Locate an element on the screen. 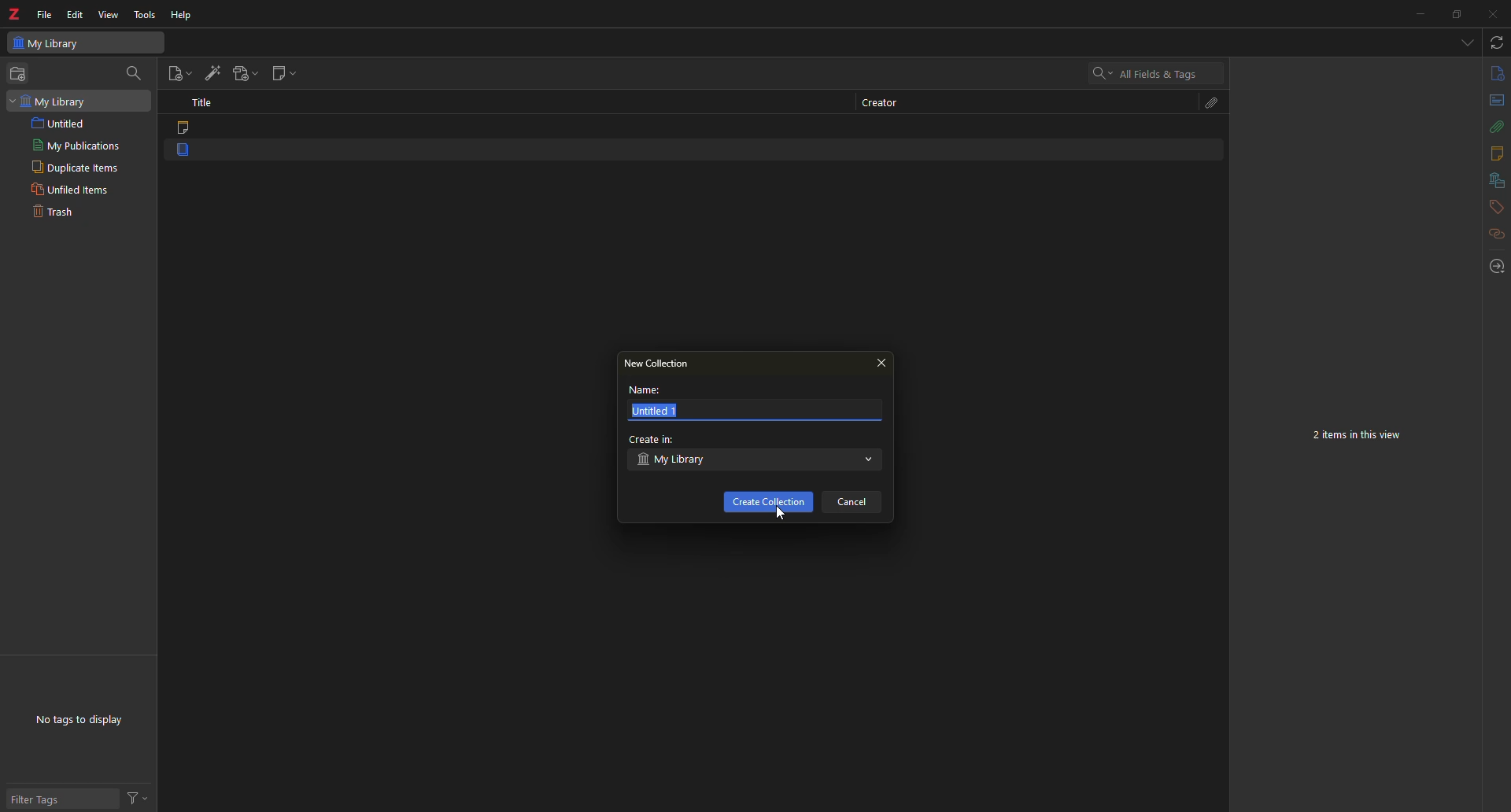 This screenshot has height=812, width=1511. new collection is located at coordinates (20, 73).